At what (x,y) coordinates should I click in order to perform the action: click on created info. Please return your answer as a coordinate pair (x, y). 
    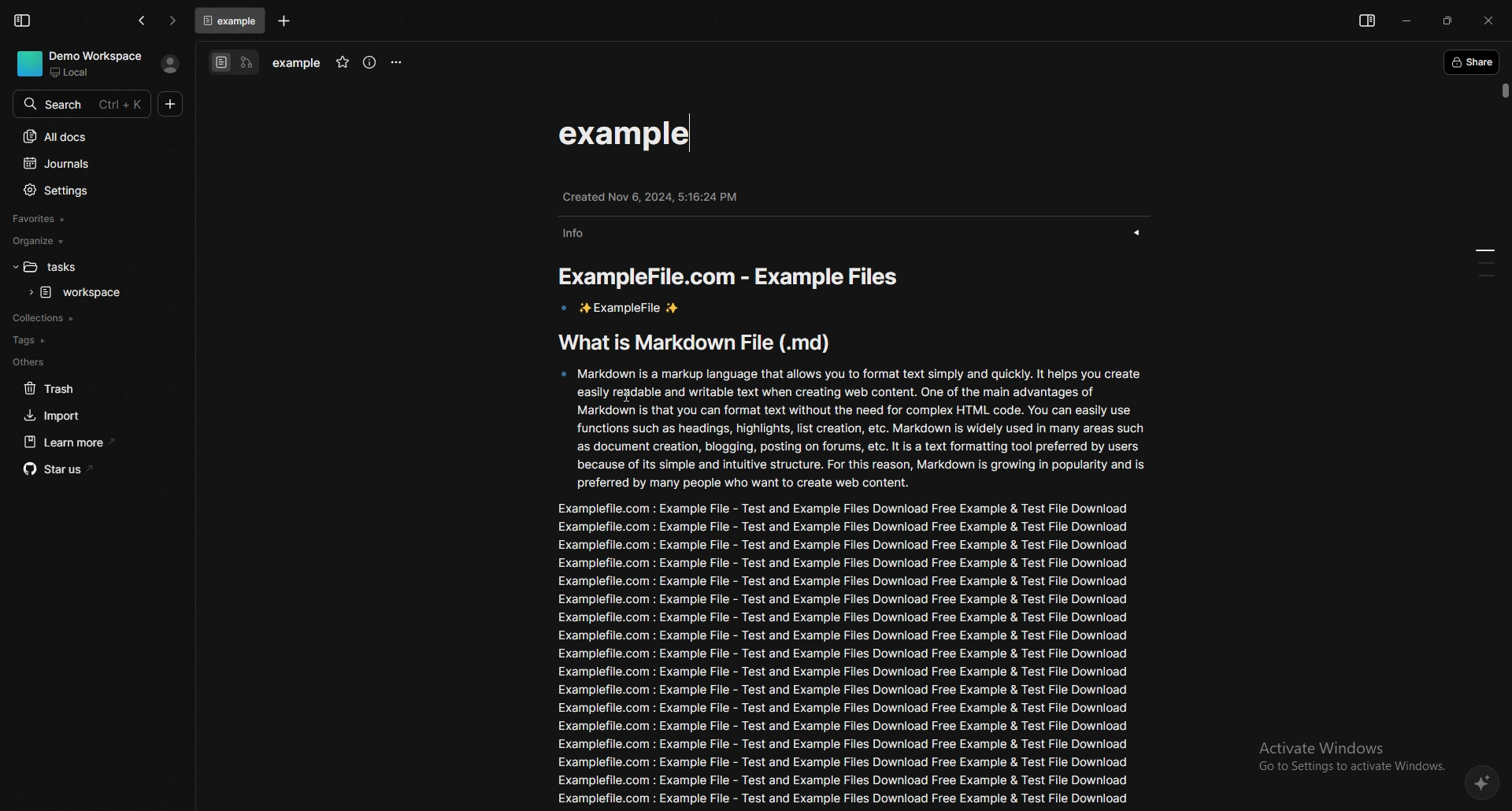
    Looking at the image, I should click on (652, 196).